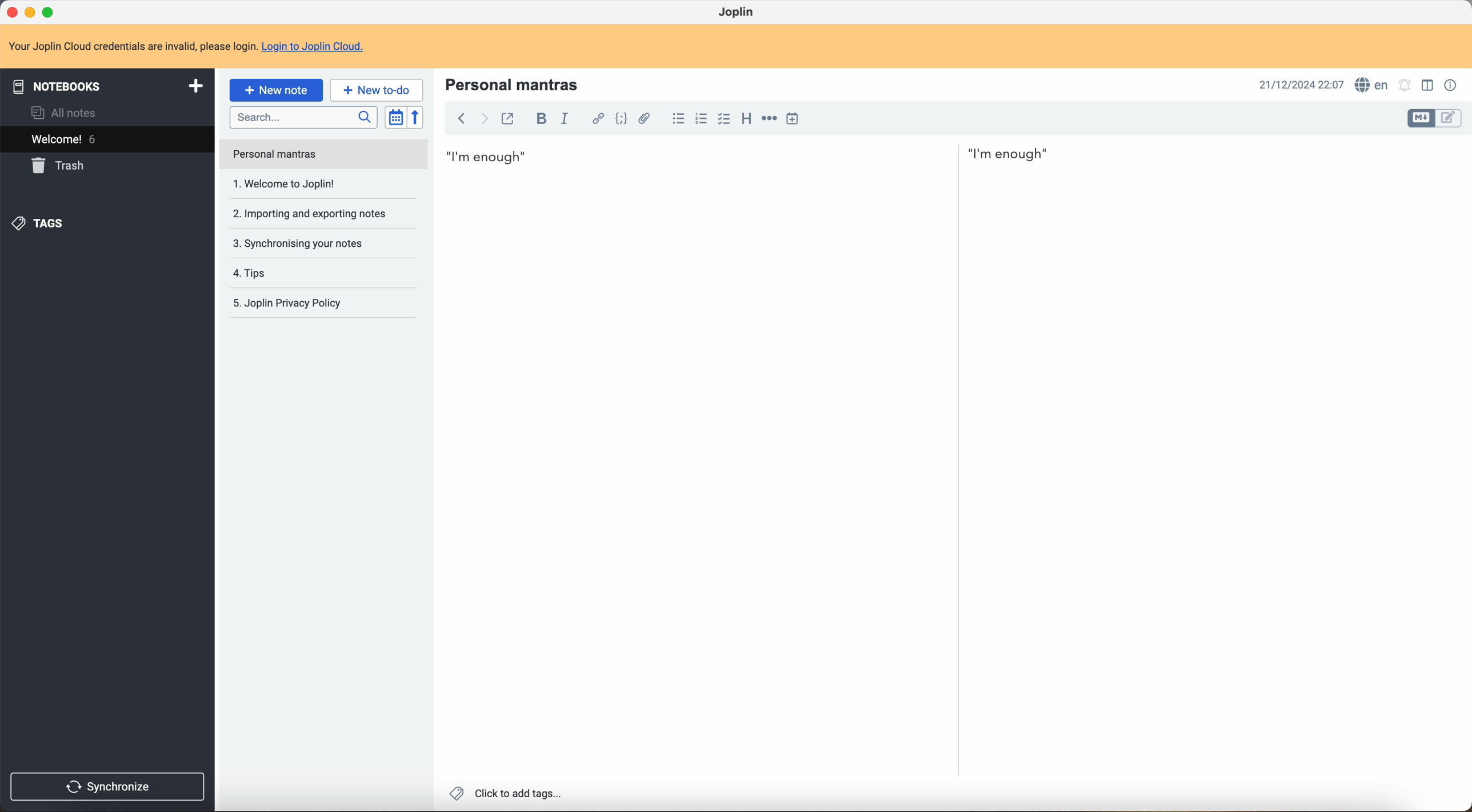 The image size is (1472, 812). What do you see at coordinates (690, 478) in the screenshot?
I see `body text` at bounding box center [690, 478].